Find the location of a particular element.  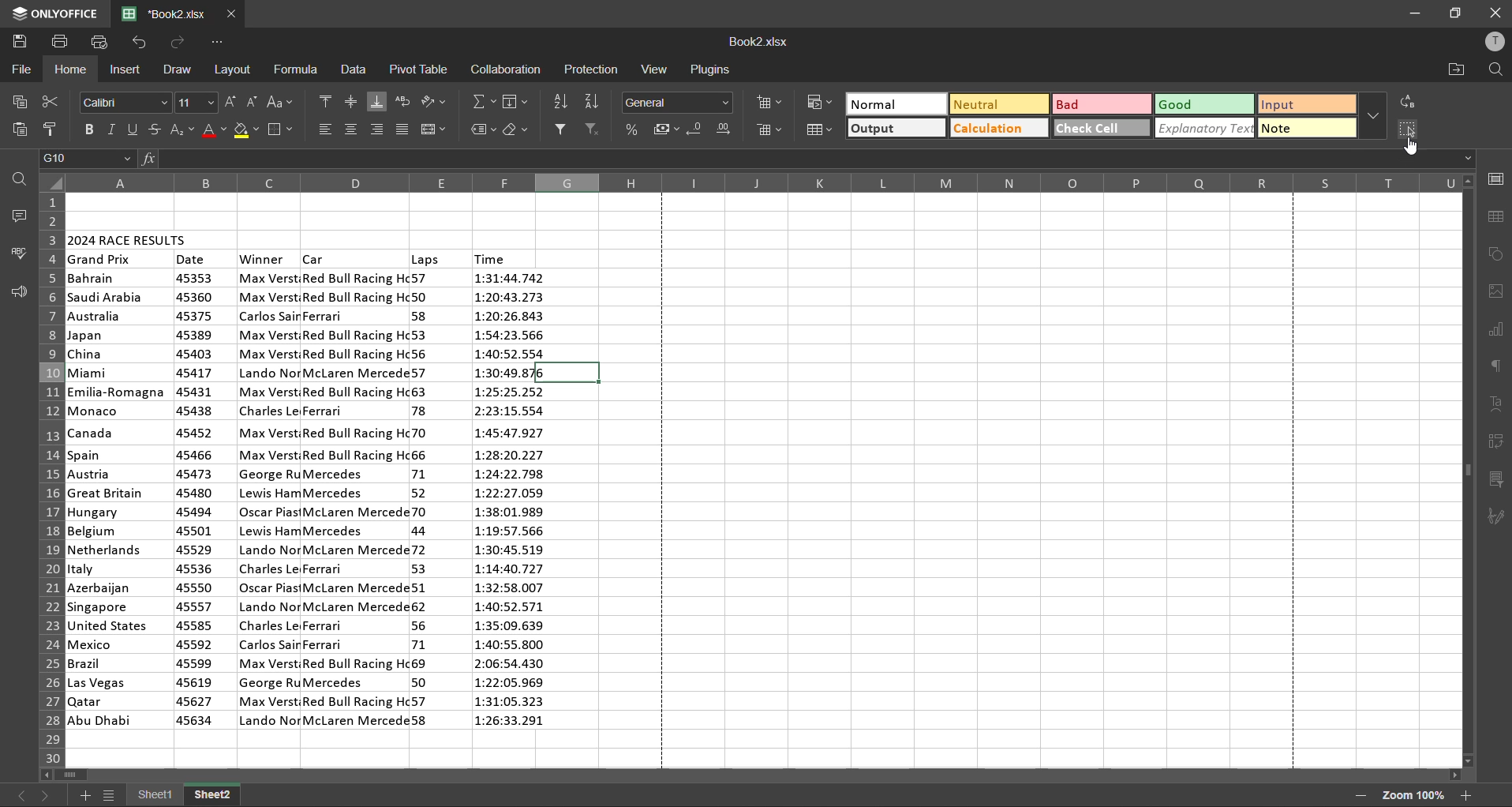

conditional formatting is located at coordinates (818, 100).